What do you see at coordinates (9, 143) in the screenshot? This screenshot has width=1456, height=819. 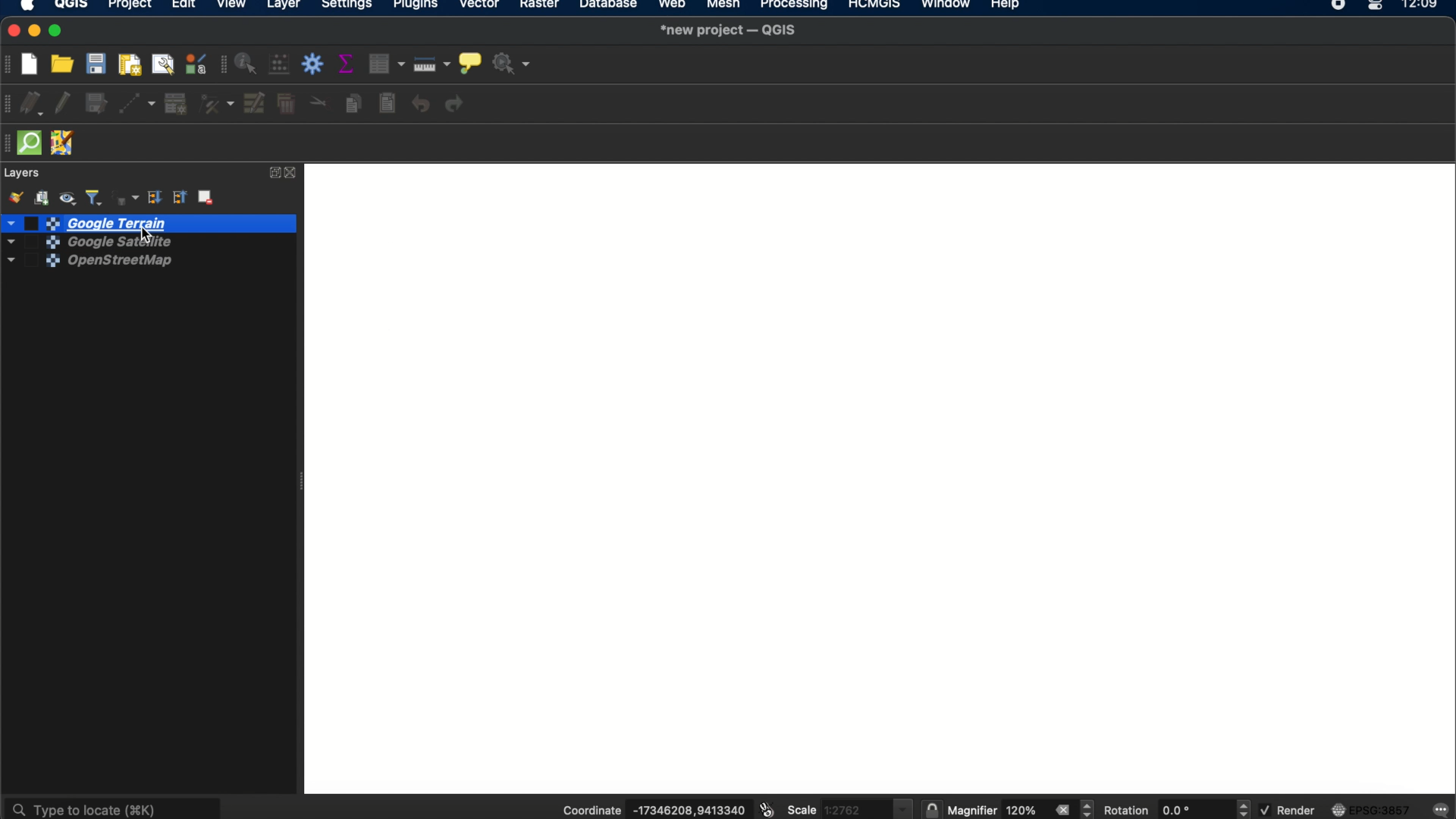 I see `hidden toolbar` at bounding box center [9, 143].